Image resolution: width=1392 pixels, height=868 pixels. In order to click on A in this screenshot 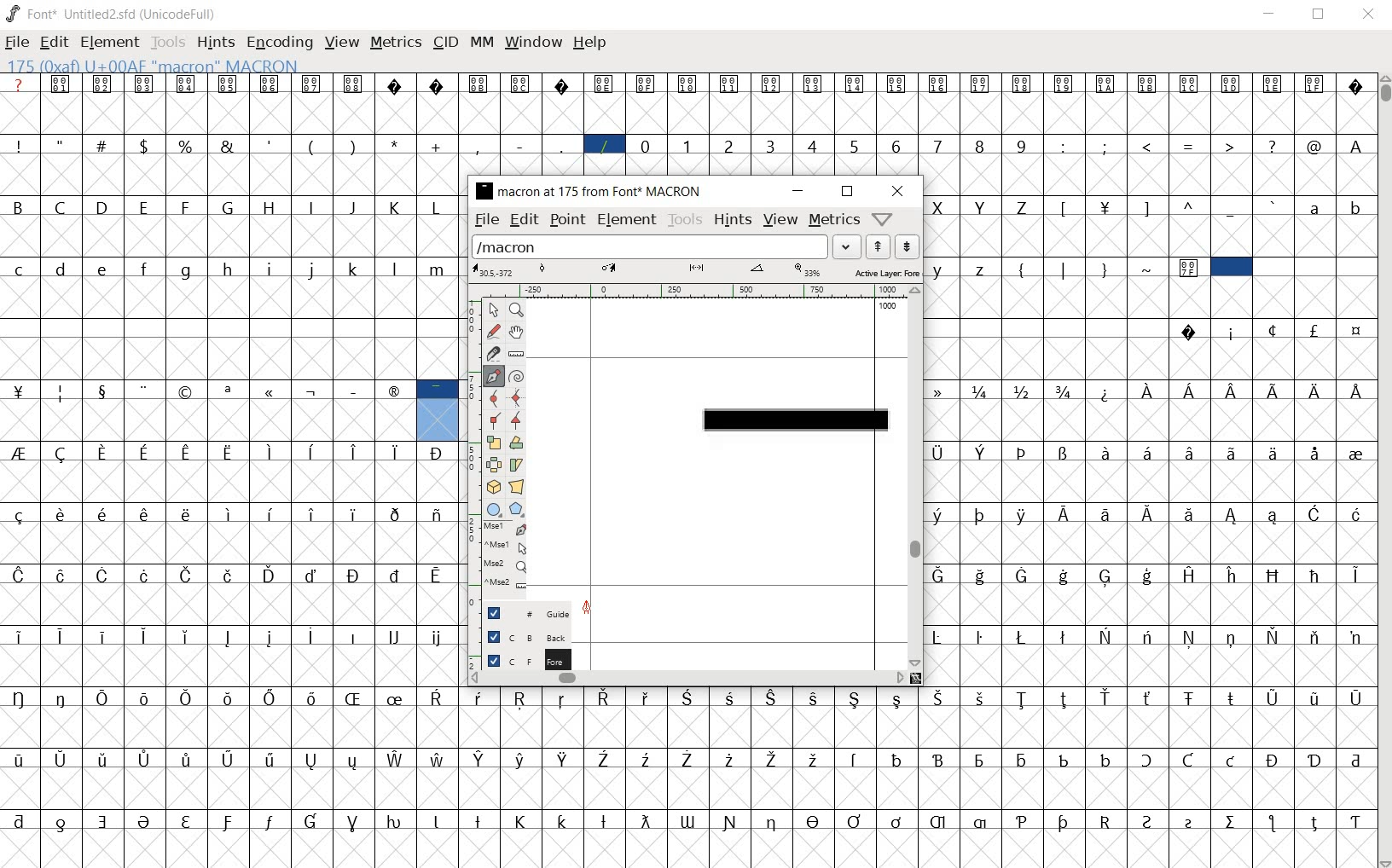, I will do `click(1358, 145)`.